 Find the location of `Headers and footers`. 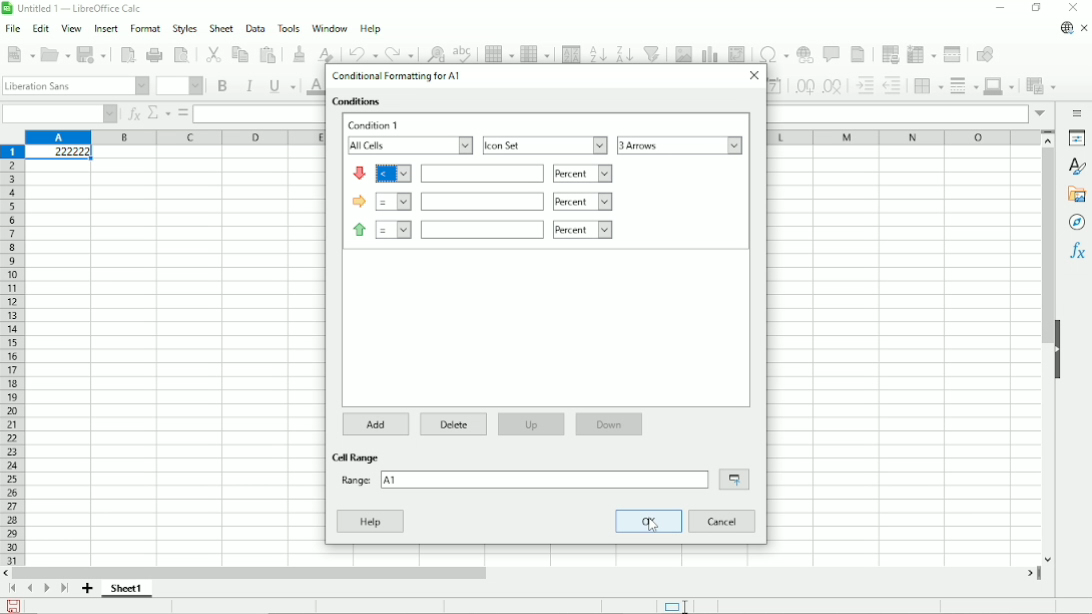

Headers and footers is located at coordinates (859, 54).